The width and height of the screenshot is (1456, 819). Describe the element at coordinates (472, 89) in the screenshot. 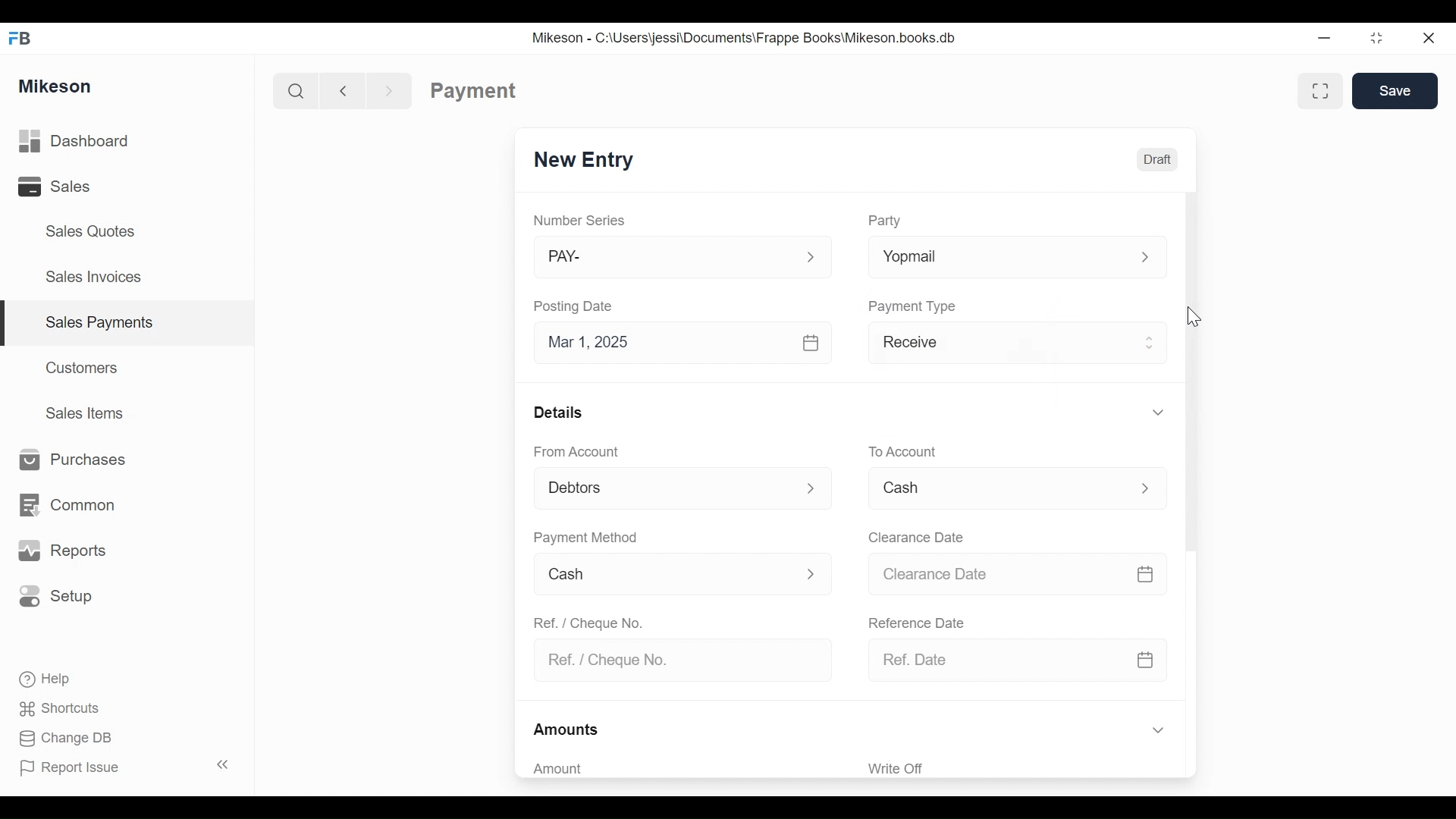

I see `Payment` at that location.